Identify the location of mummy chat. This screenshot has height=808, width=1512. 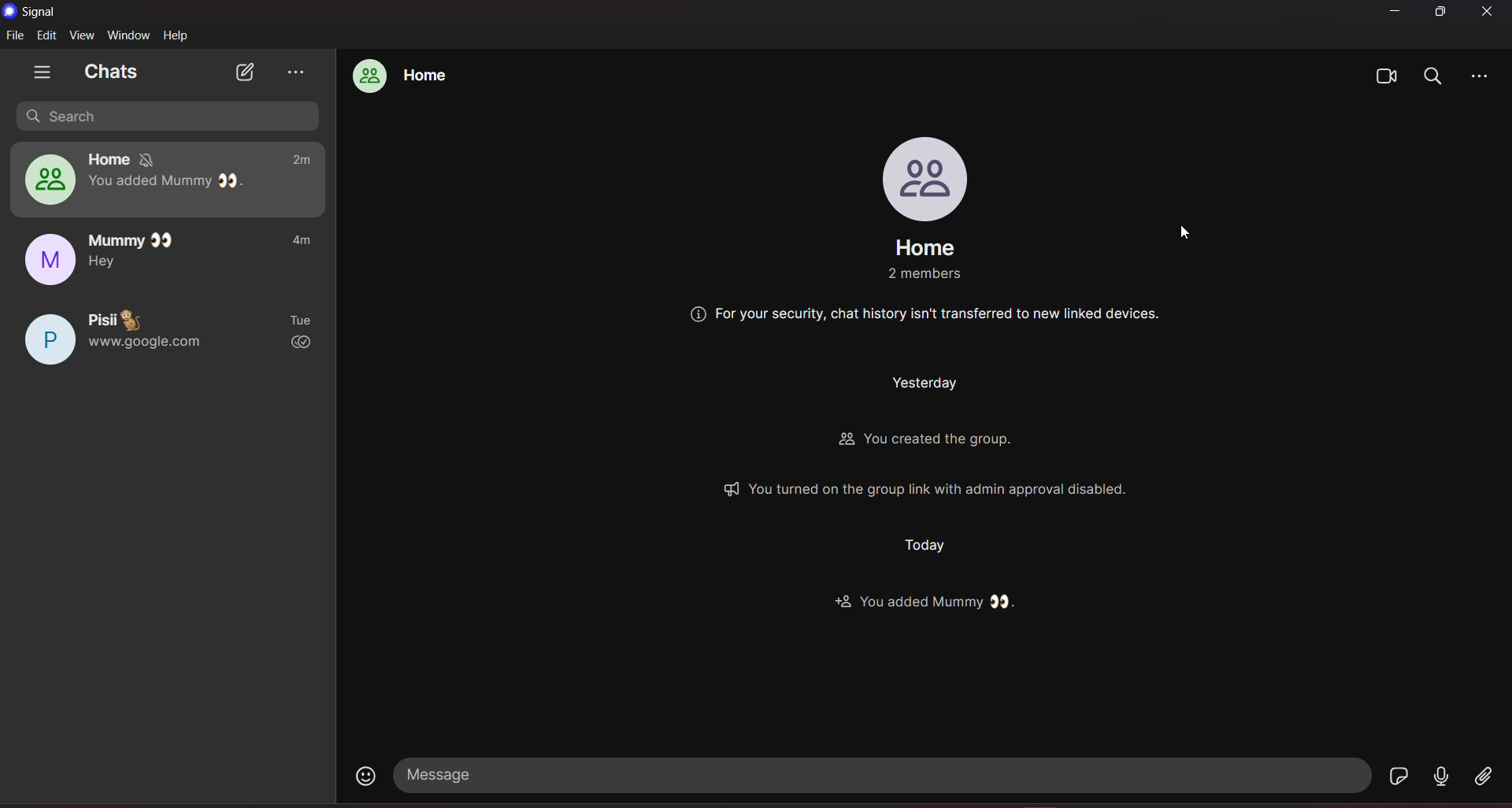
(170, 254).